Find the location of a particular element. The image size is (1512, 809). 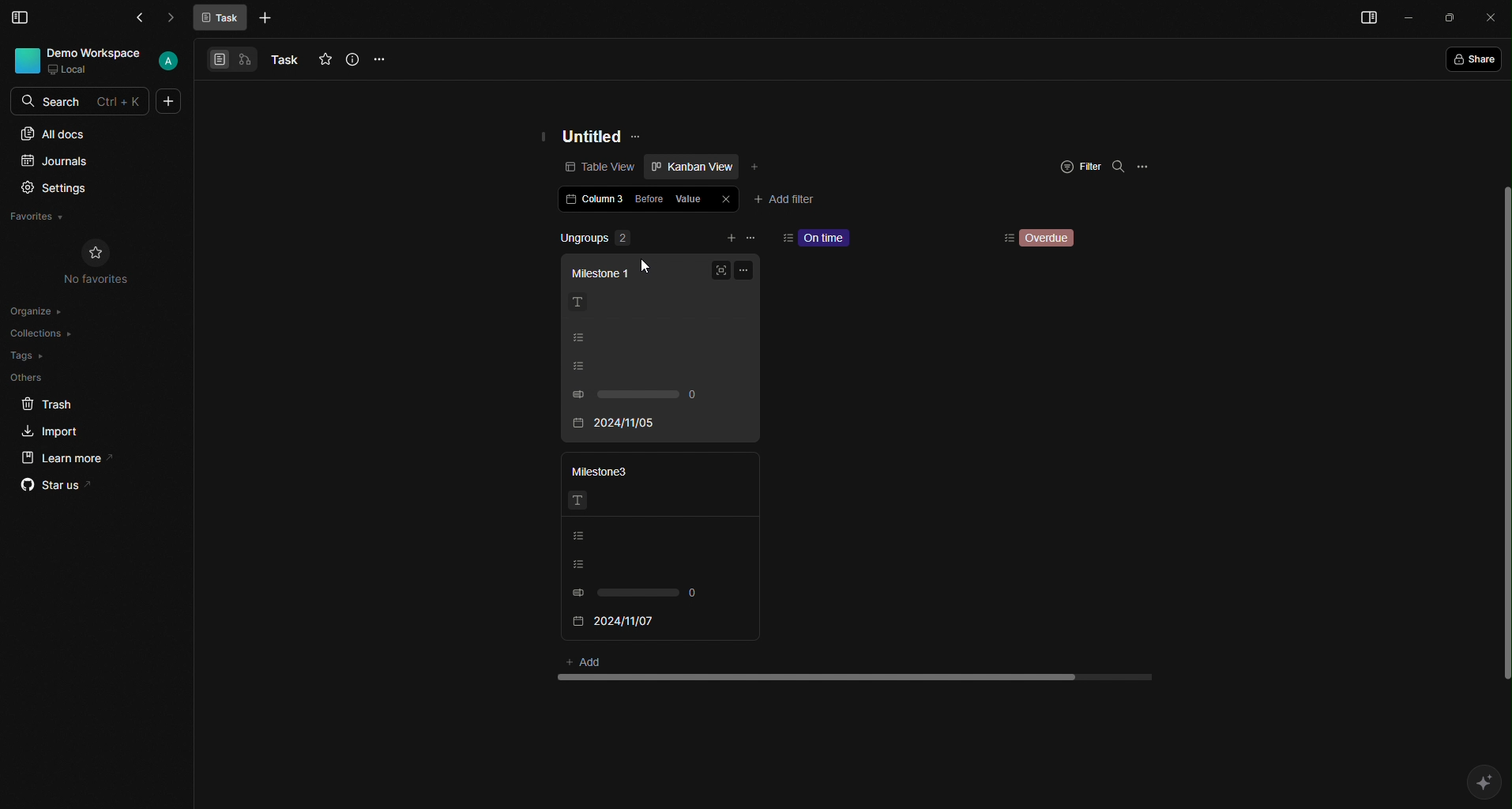

Text is located at coordinates (580, 499).